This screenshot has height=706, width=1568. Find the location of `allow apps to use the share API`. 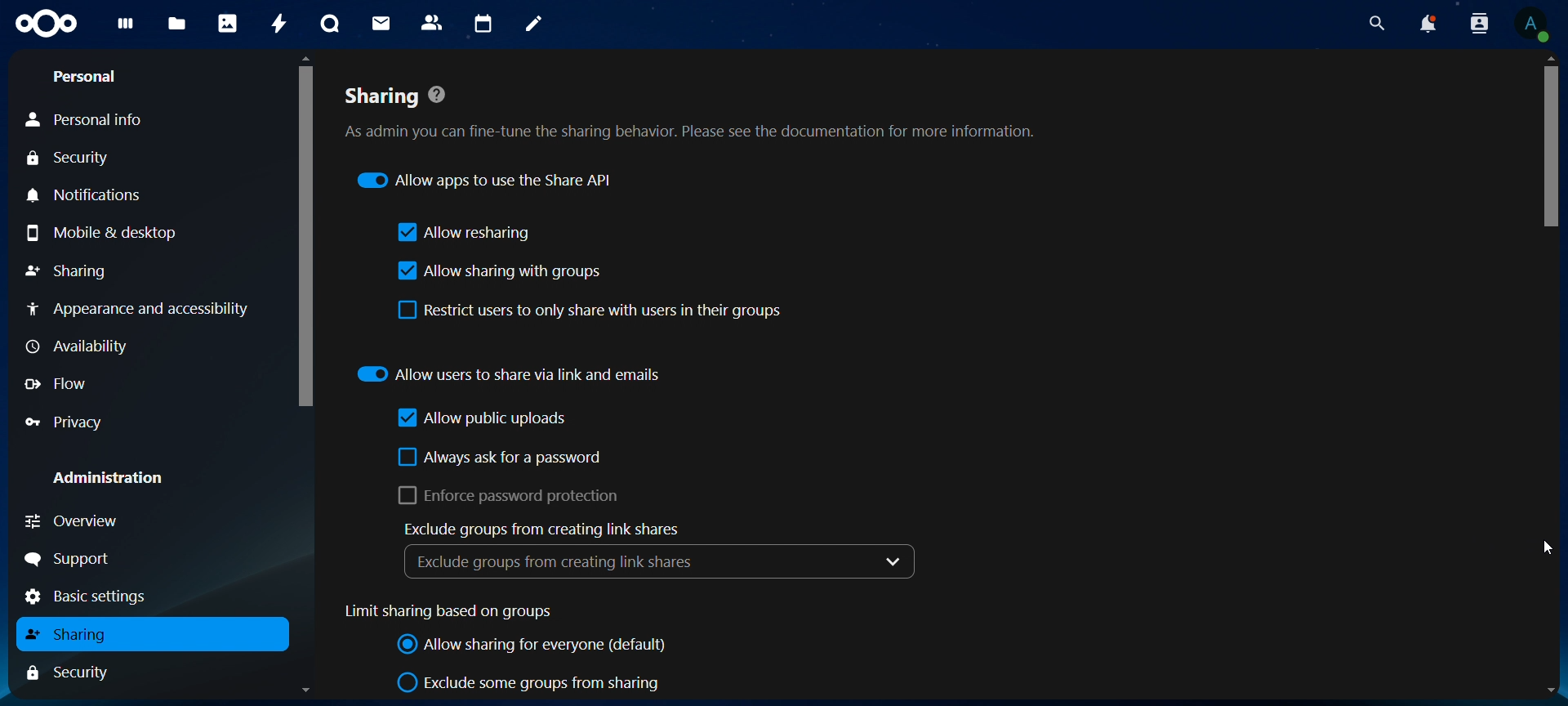

allow apps to use the share API is located at coordinates (496, 178).